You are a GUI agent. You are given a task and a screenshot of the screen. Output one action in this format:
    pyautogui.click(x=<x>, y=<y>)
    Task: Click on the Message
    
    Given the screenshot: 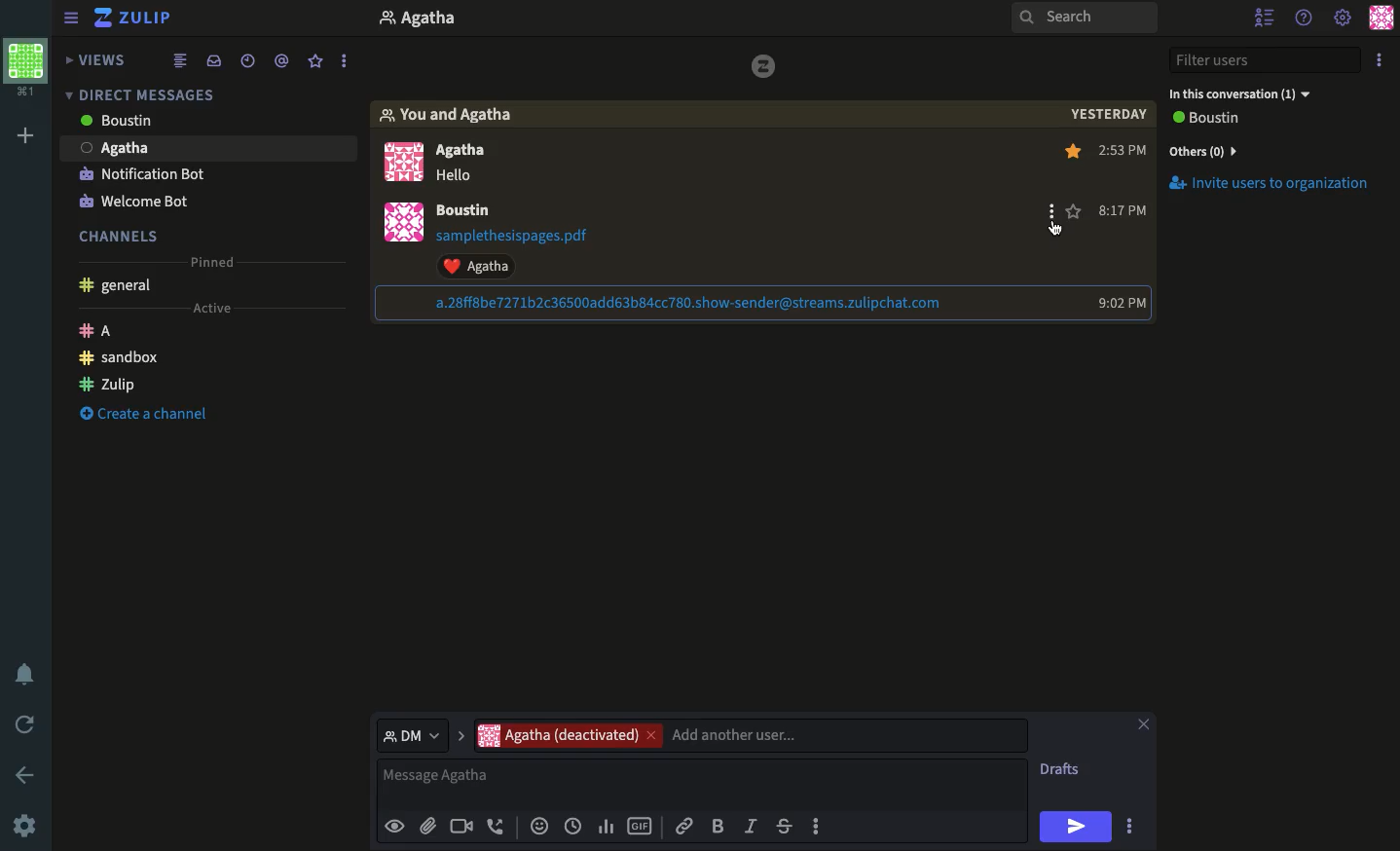 What is the action you would take?
    pyautogui.click(x=705, y=784)
    